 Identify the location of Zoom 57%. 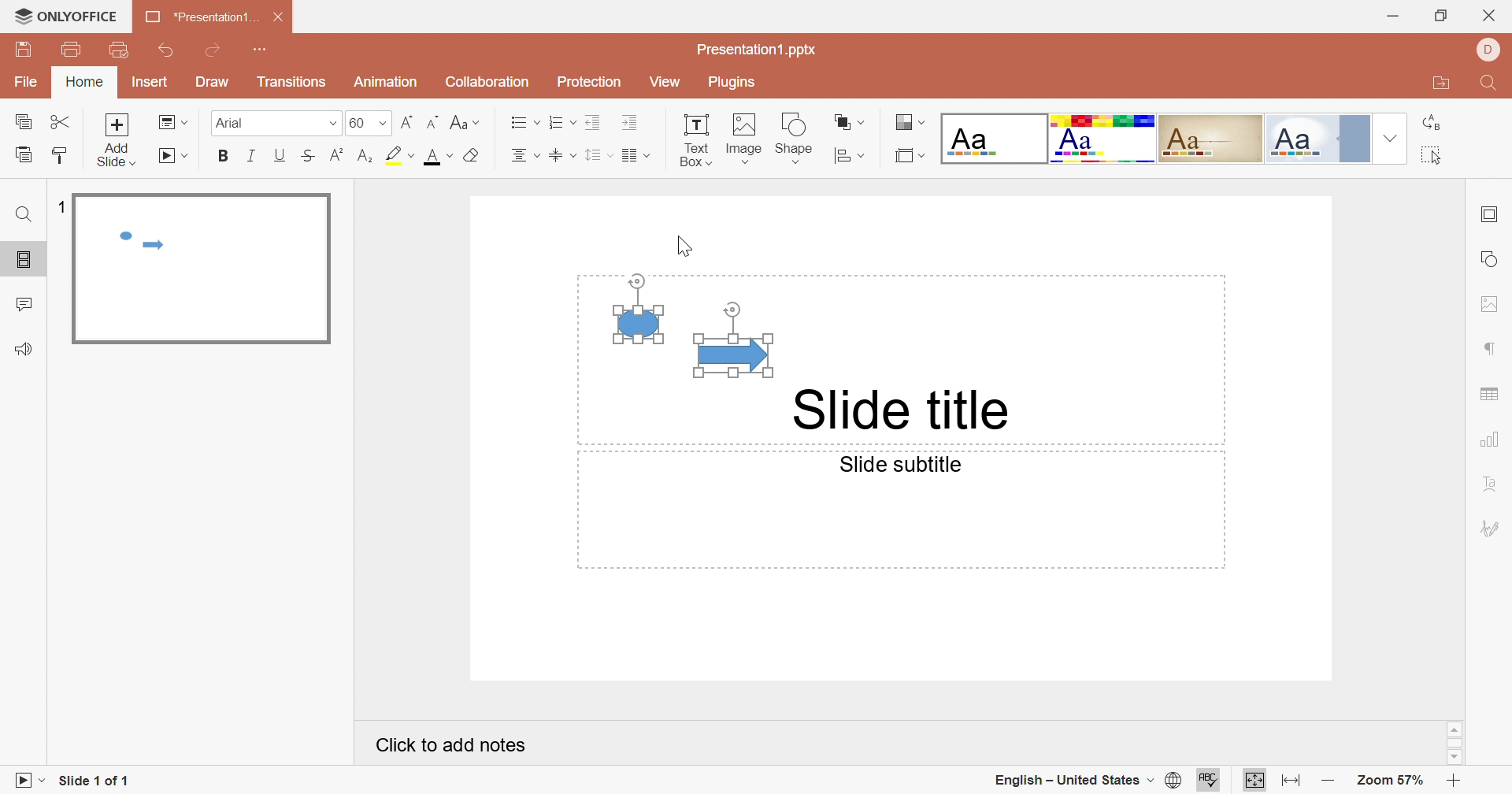
(1391, 783).